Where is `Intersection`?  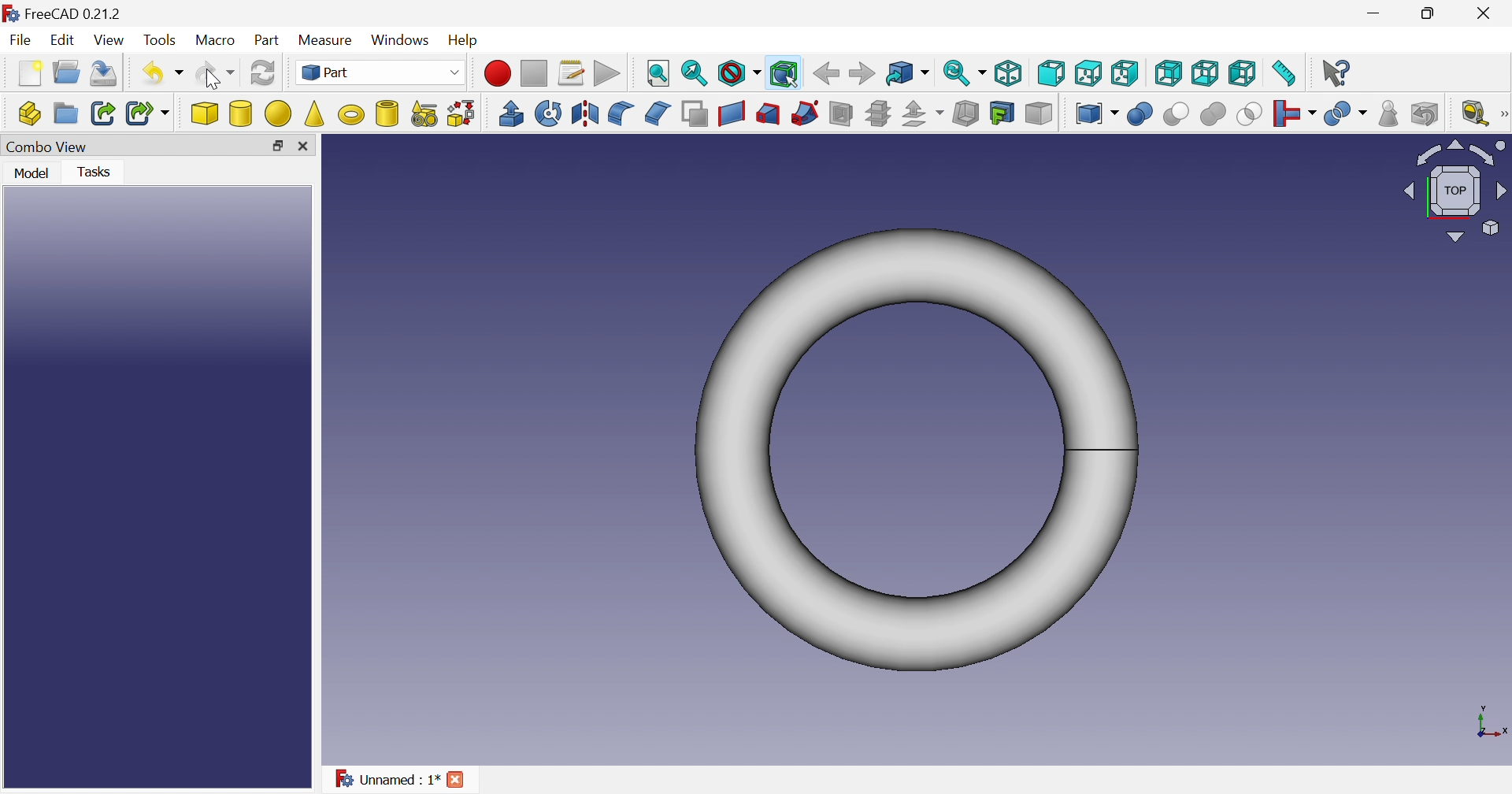 Intersection is located at coordinates (1247, 113).